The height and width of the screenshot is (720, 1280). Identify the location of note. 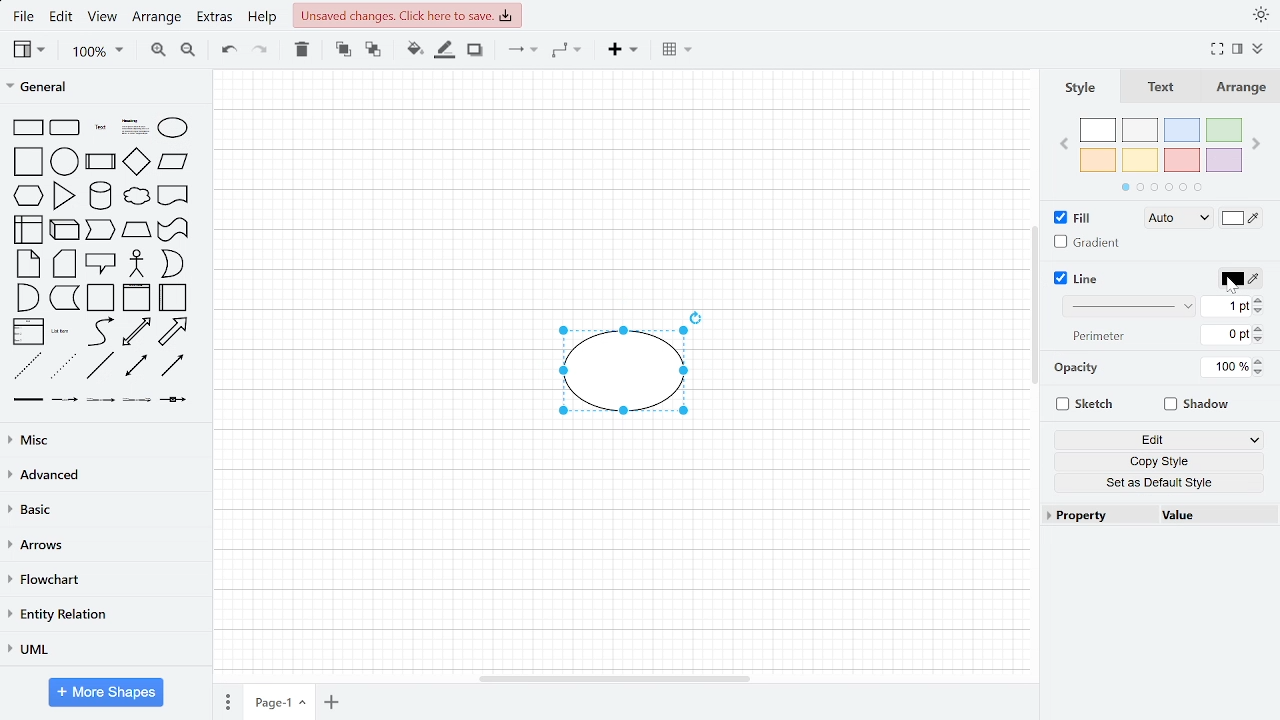
(27, 263).